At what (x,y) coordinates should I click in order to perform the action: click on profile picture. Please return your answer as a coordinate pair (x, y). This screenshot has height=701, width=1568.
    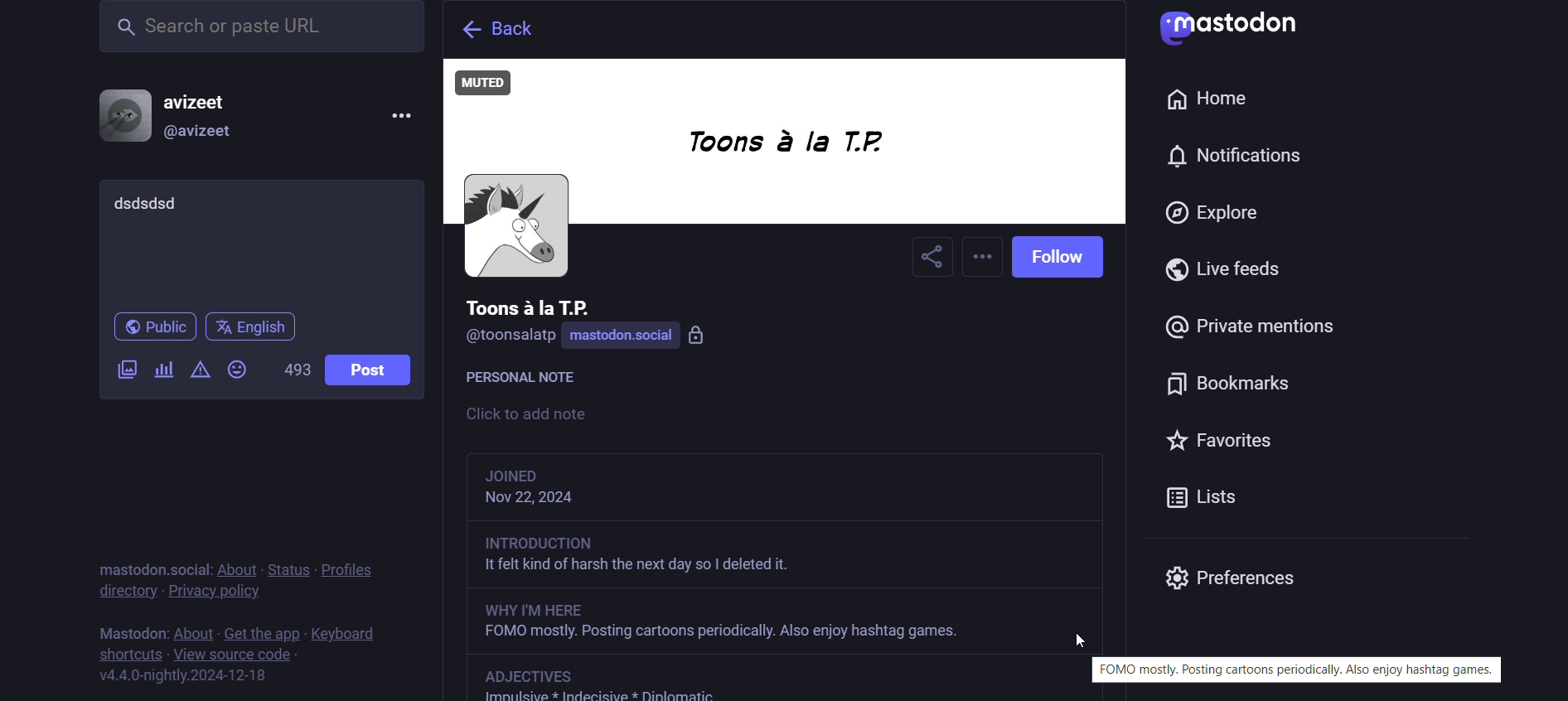
    Looking at the image, I should click on (123, 115).